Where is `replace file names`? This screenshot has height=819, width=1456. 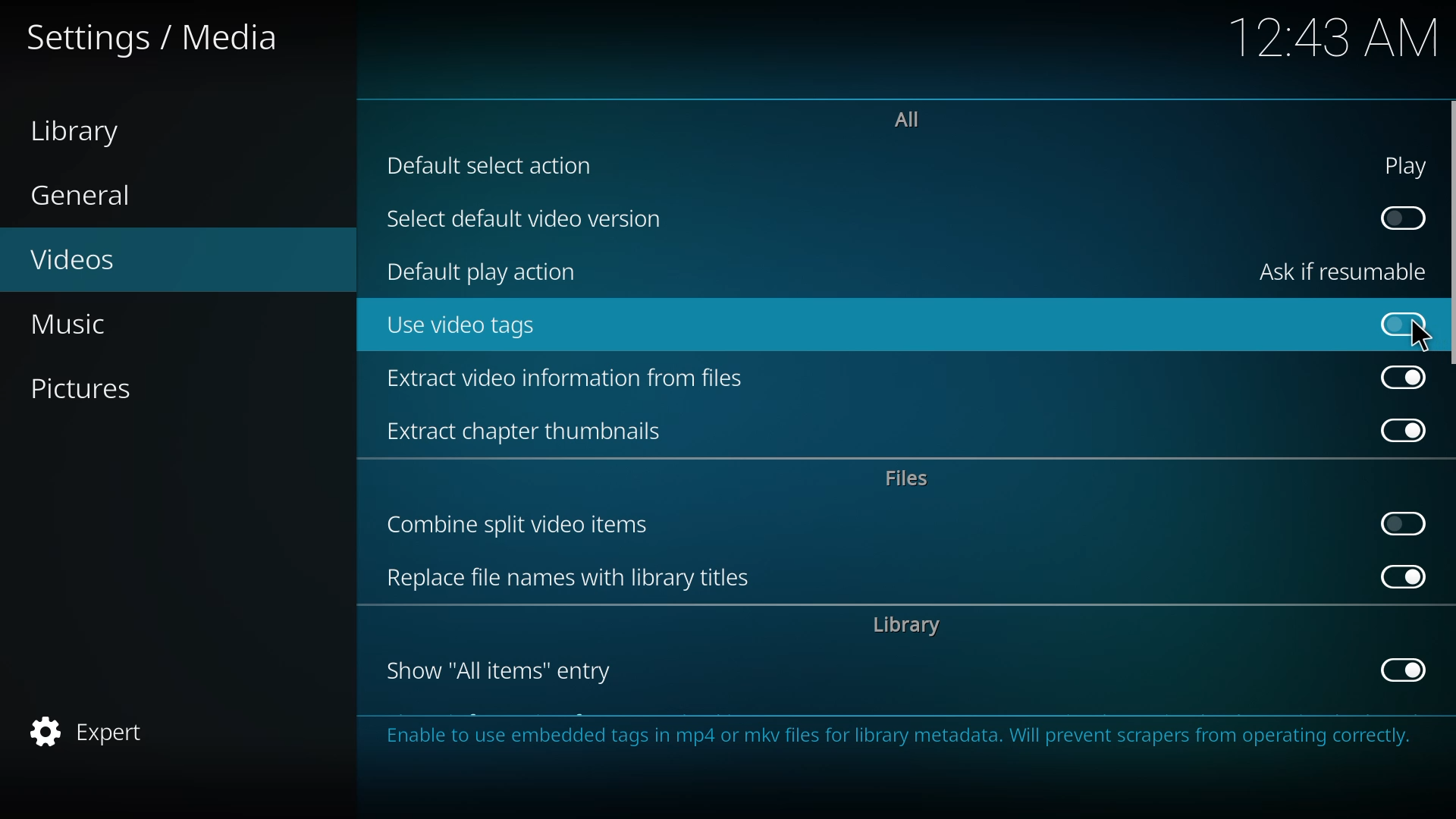 replace file names is located at coordinates (571, 577).